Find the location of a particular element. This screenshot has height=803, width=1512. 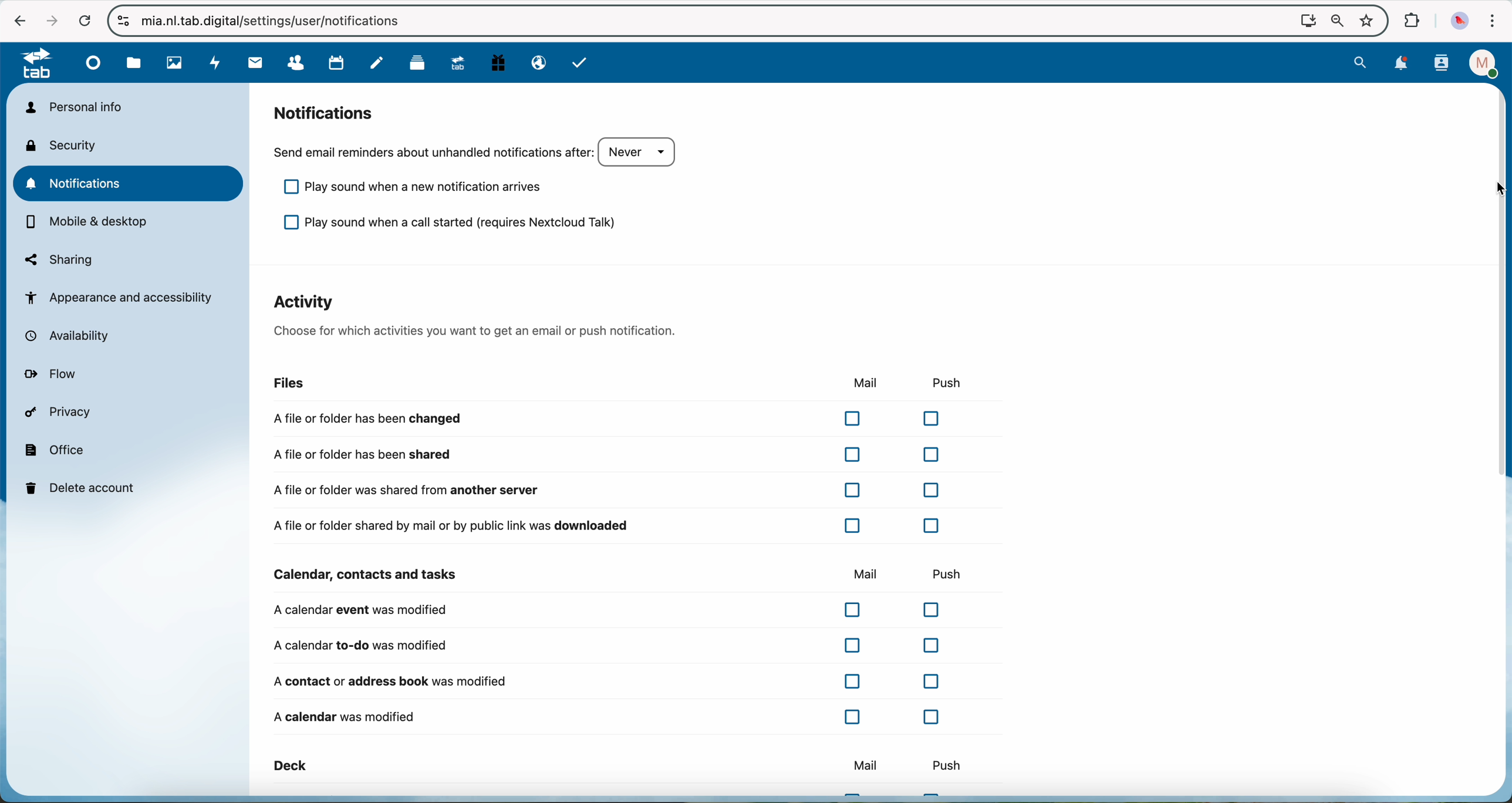

files is located at coordinates (282, 383).